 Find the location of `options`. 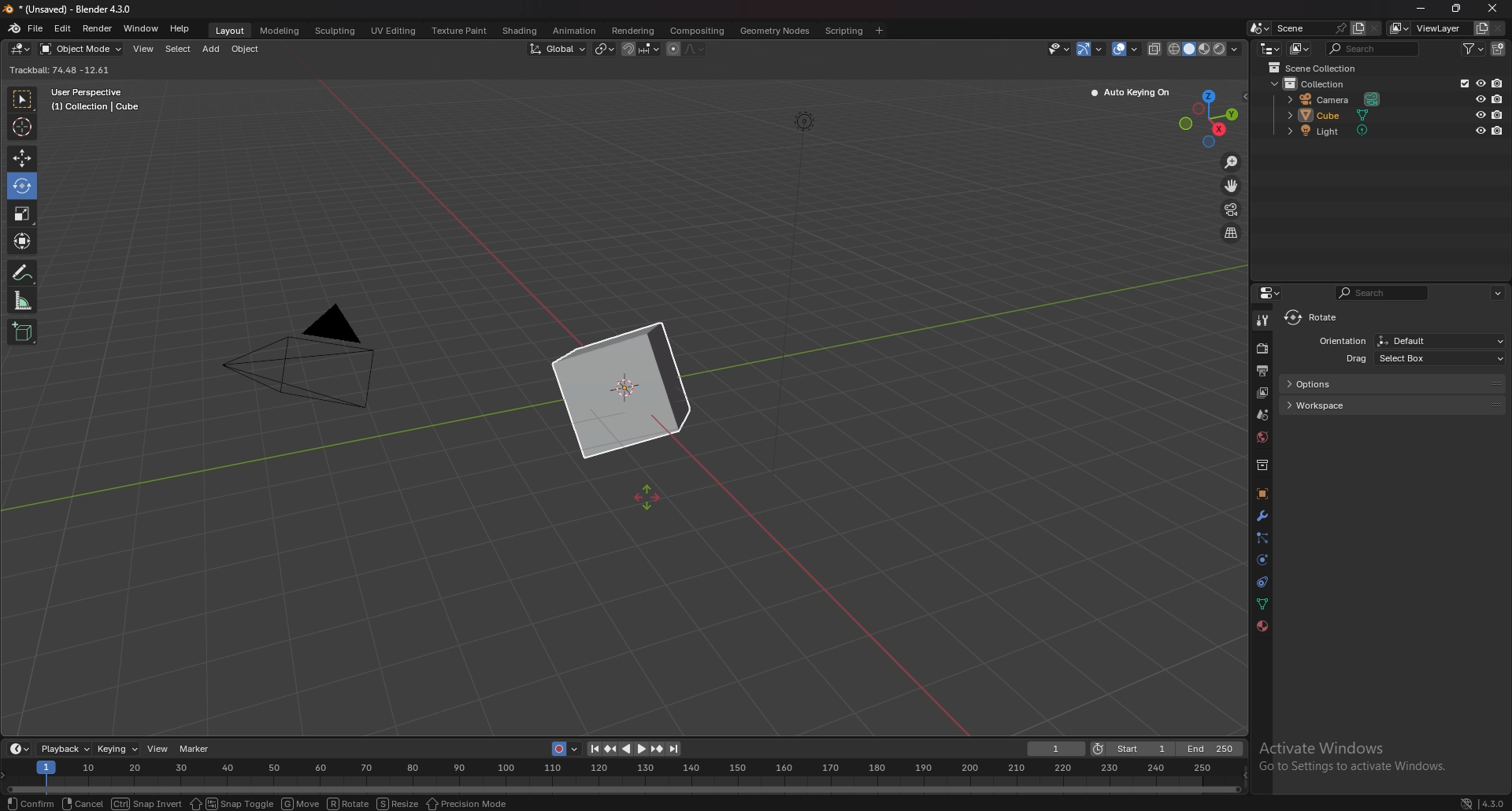

options is located at coordinates (1499, 293).